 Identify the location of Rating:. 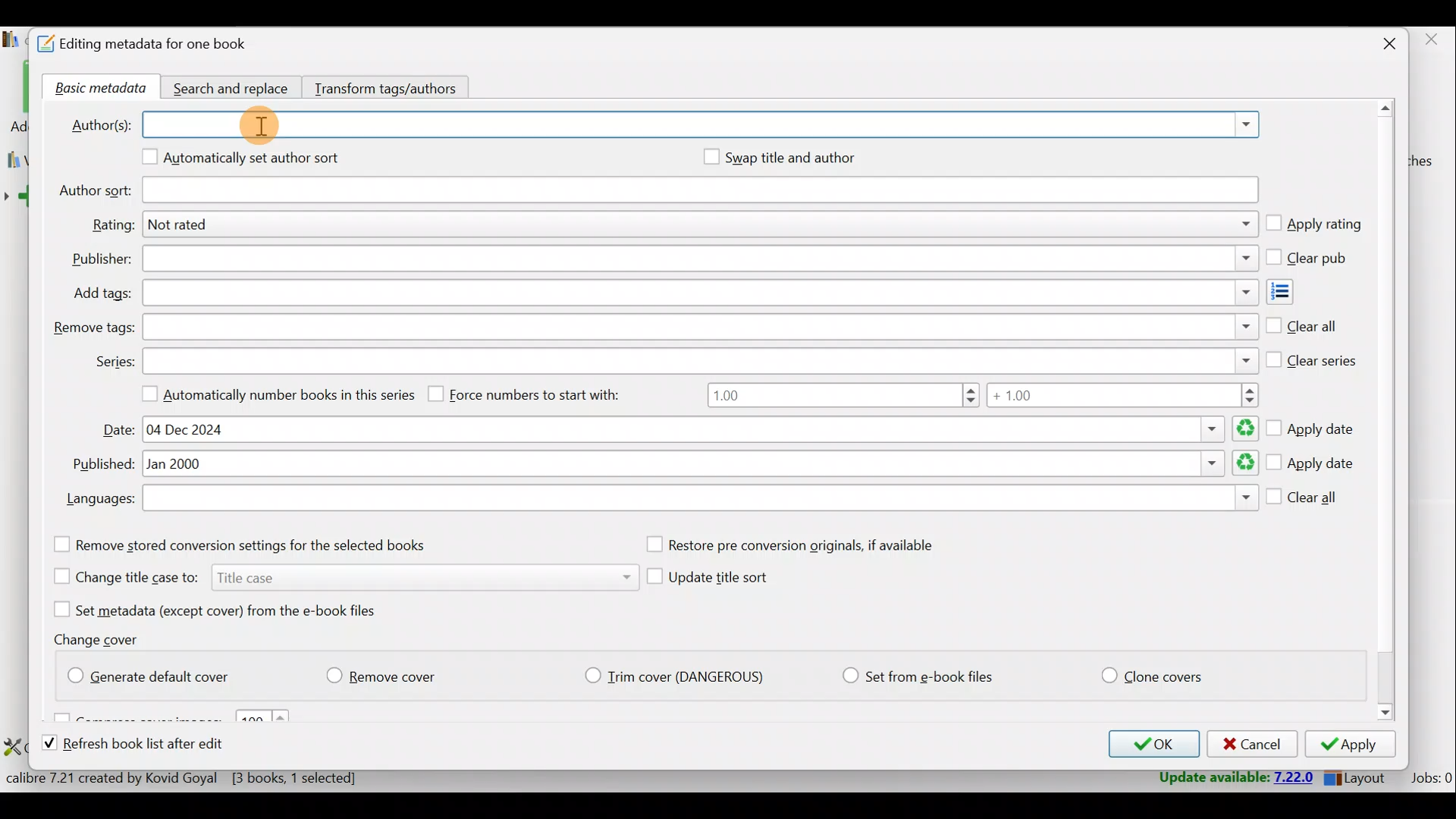
(112, 225).